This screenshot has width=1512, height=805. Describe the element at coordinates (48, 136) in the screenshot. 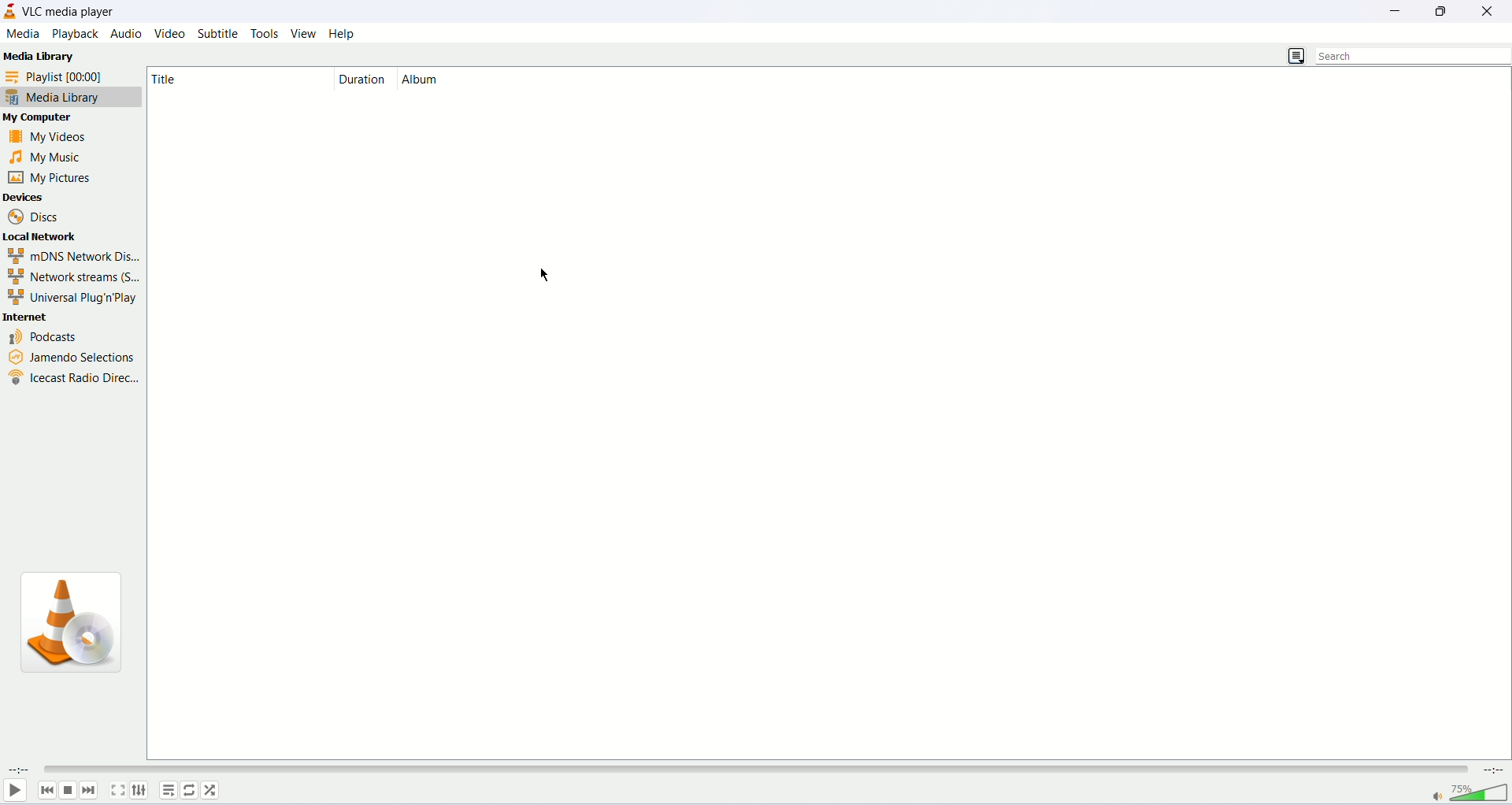

I see `my videos` at that location.